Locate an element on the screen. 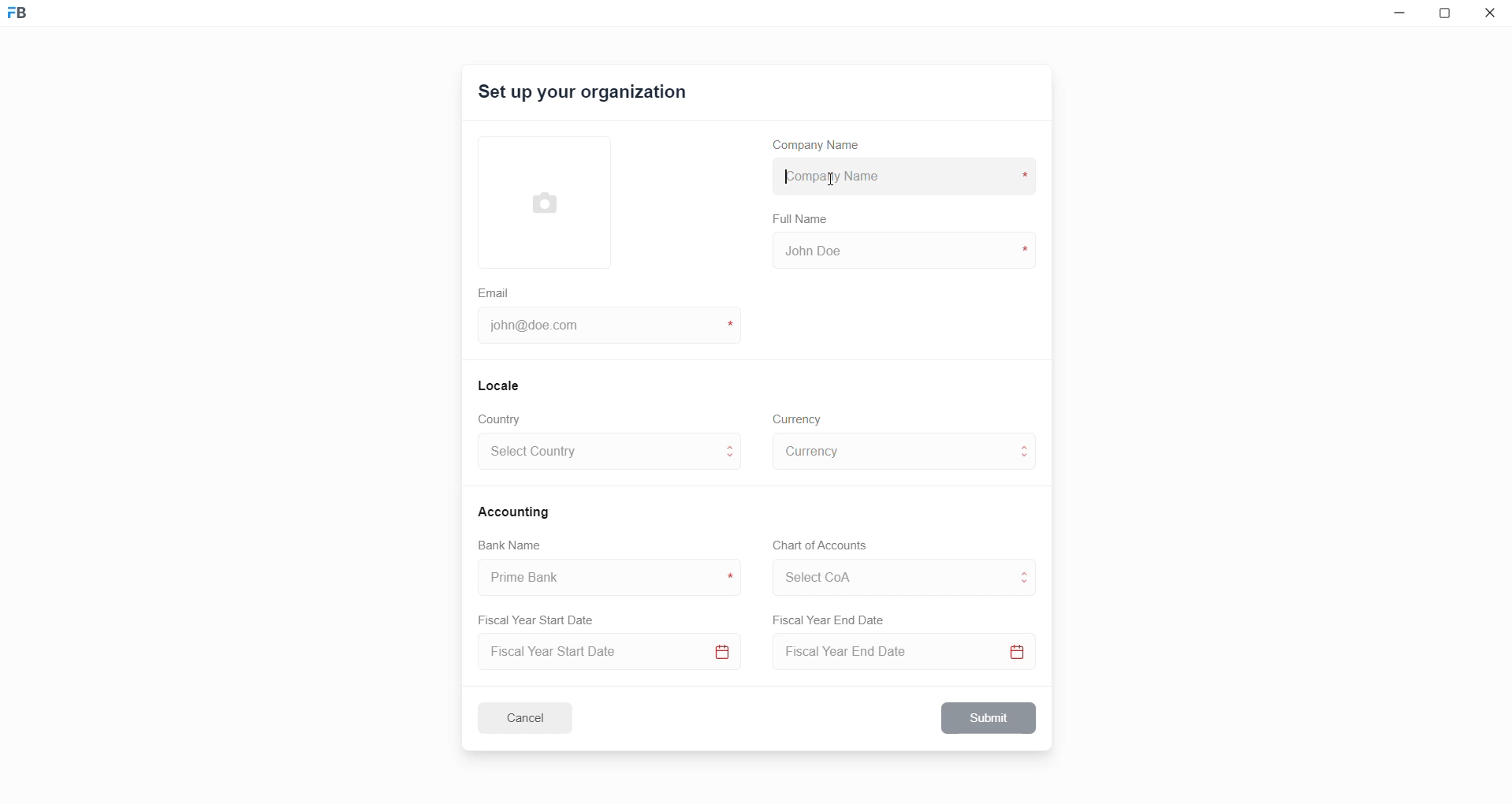 The height and width of the screenshot is (804, 1512). select currency is located at coordinates (891, 450).